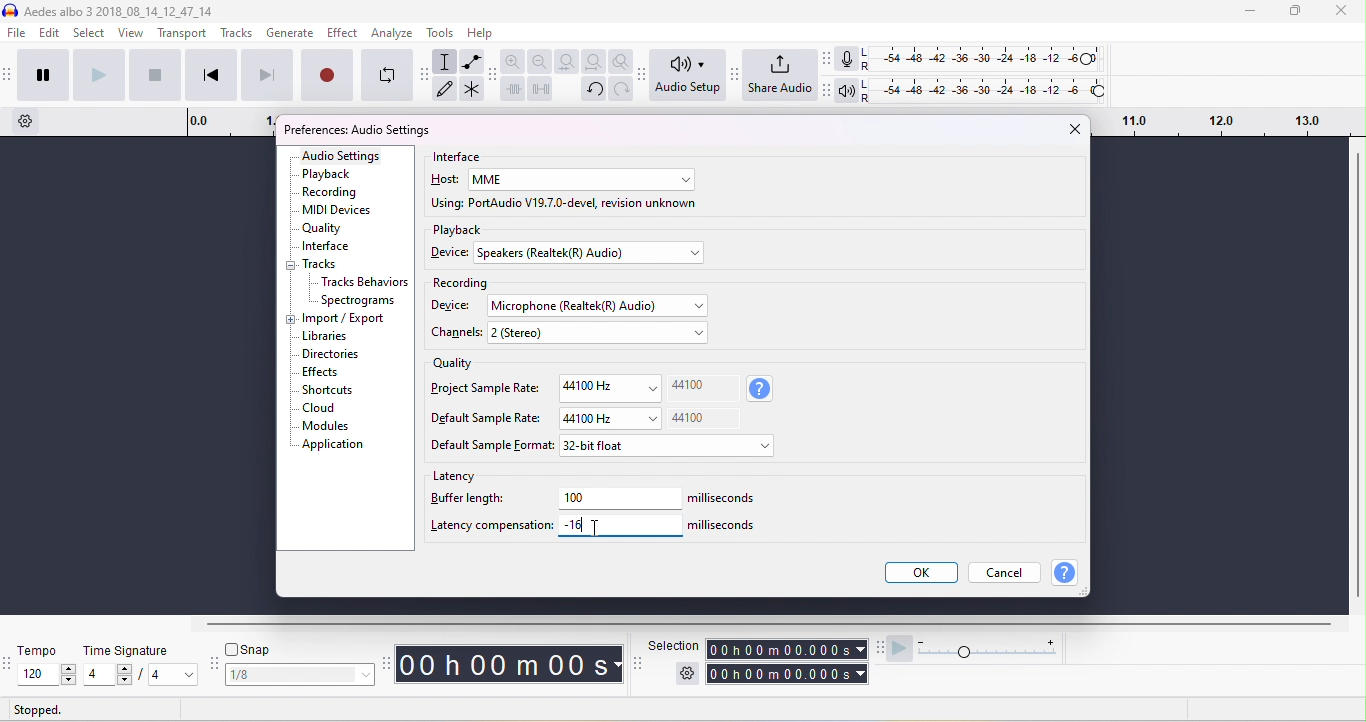  I want to click on libraries, so click(326, 336).